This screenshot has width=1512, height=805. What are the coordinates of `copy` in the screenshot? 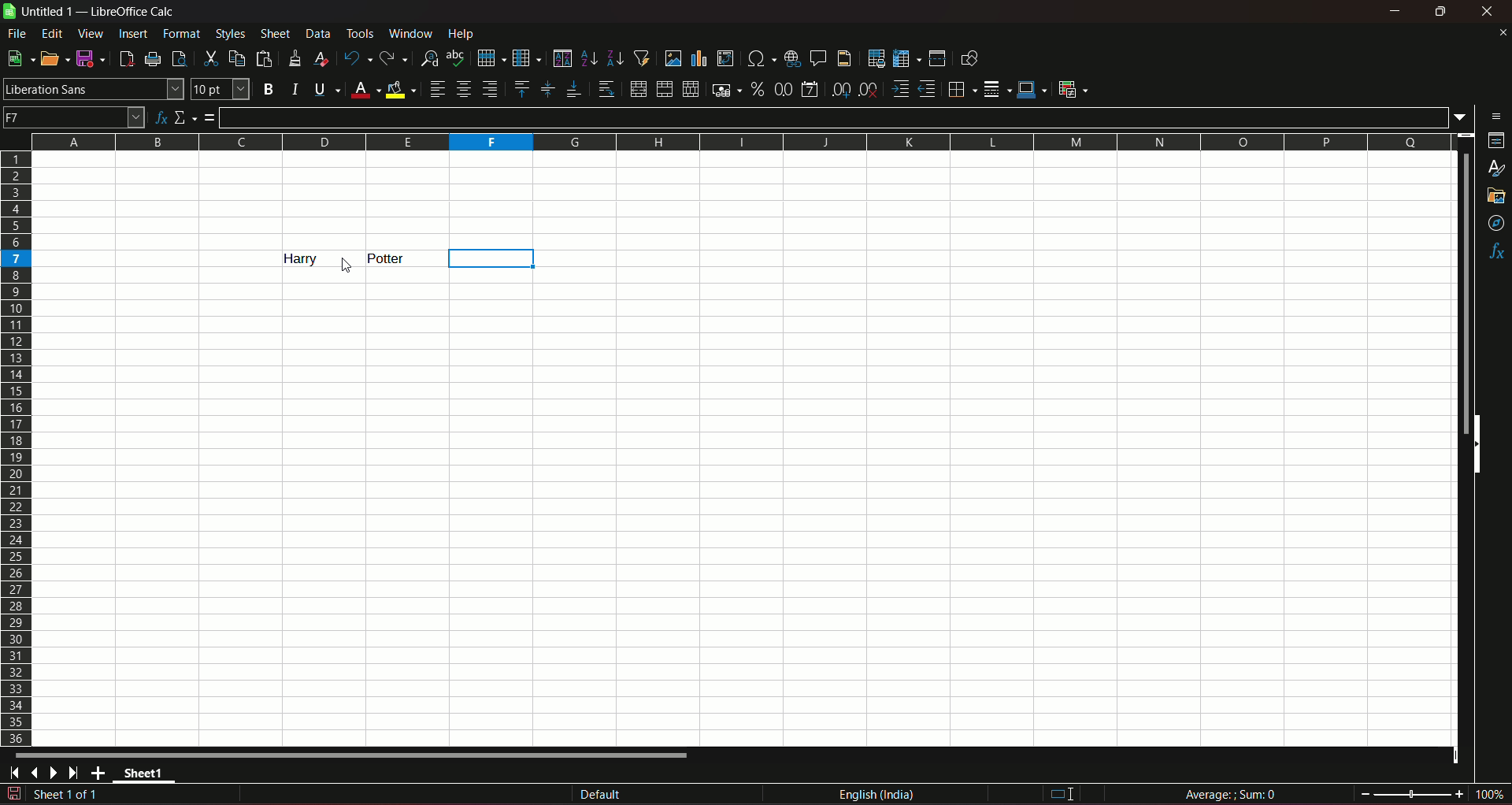 It's located at (237, 58).